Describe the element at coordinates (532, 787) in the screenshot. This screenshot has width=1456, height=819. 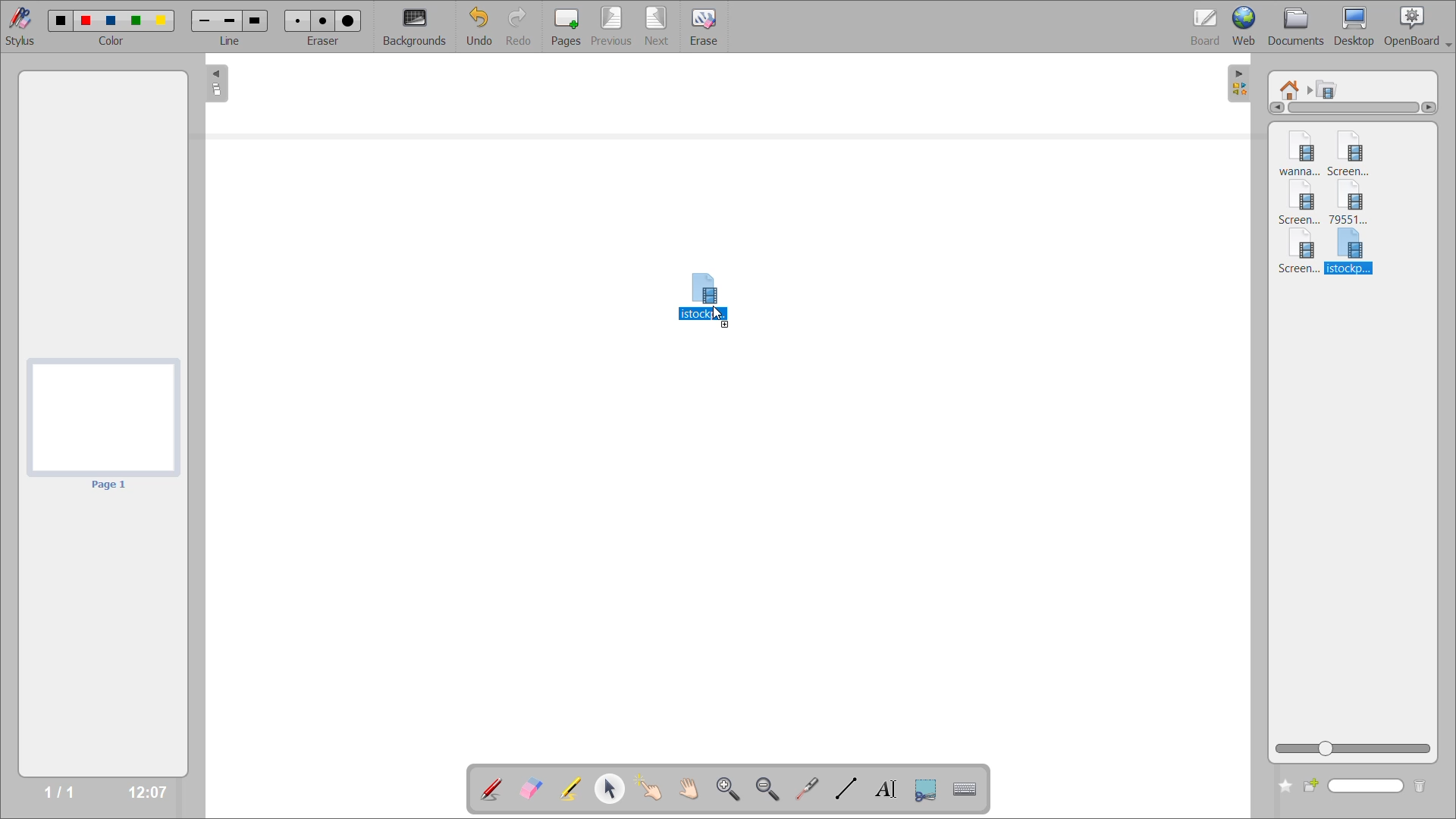
I see `erase annotation` at that location.